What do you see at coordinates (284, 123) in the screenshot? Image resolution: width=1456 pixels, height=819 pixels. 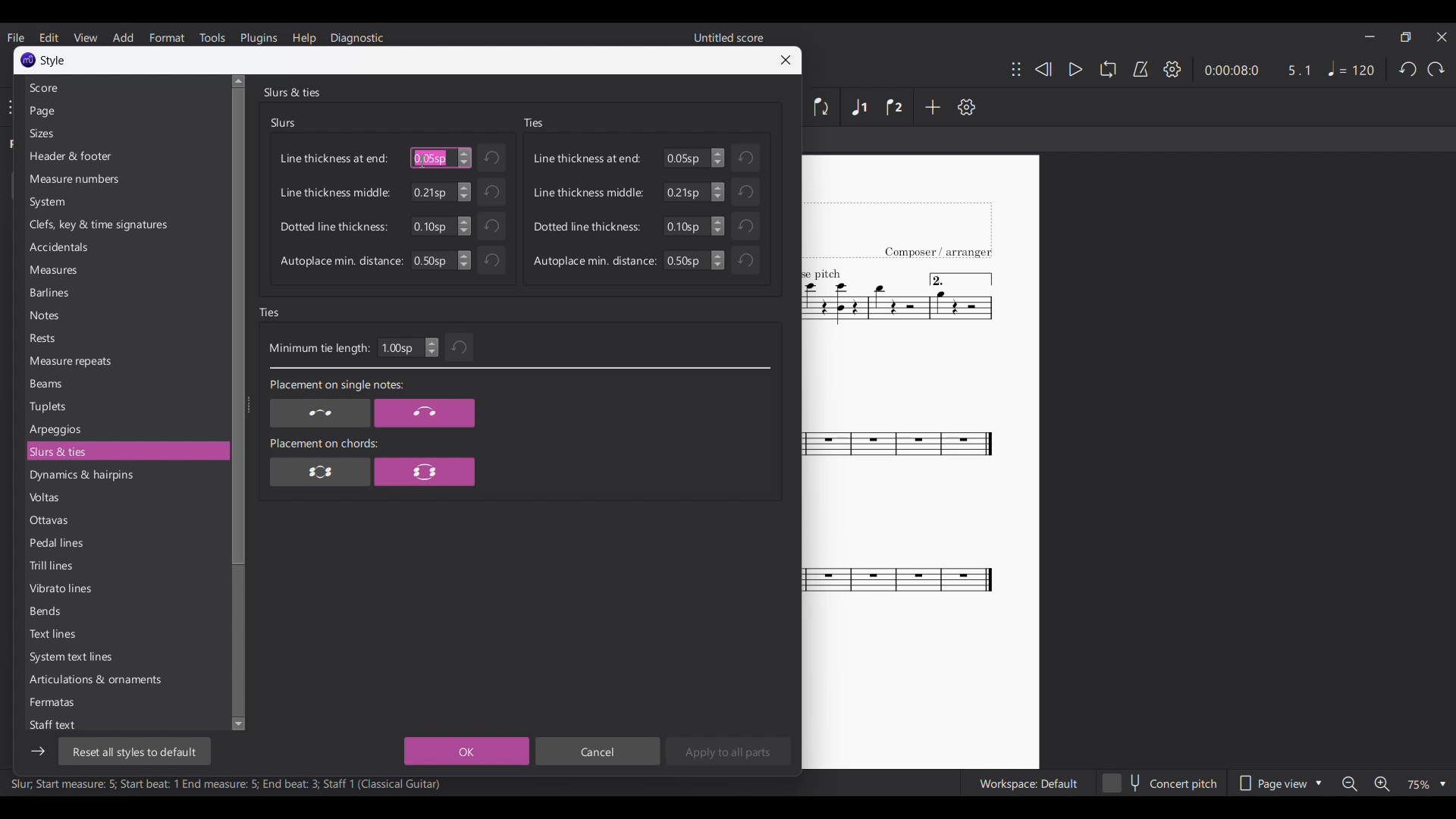 I see `Slurs` at bounding box center [284, 123].